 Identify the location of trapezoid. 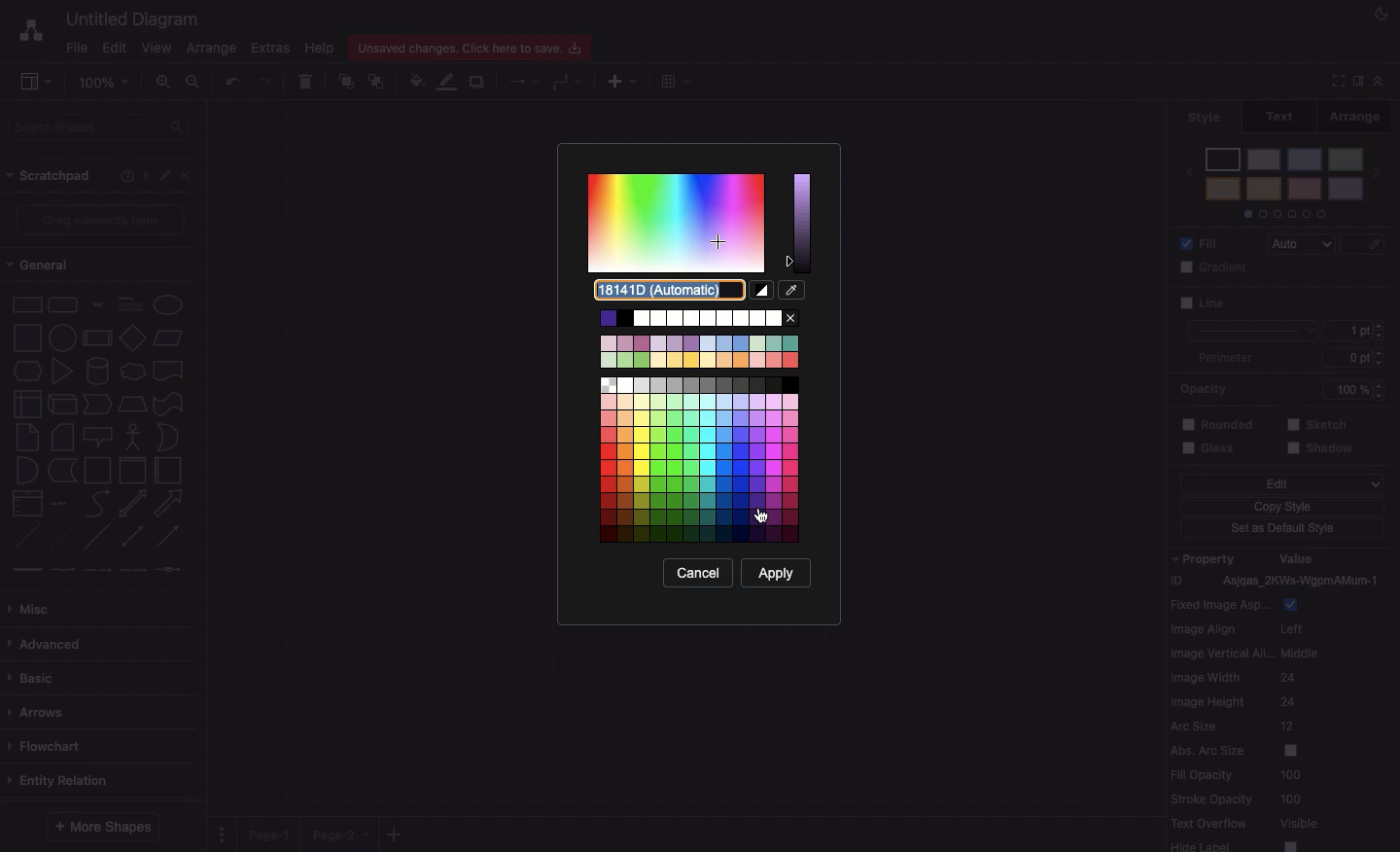
(131, 403).